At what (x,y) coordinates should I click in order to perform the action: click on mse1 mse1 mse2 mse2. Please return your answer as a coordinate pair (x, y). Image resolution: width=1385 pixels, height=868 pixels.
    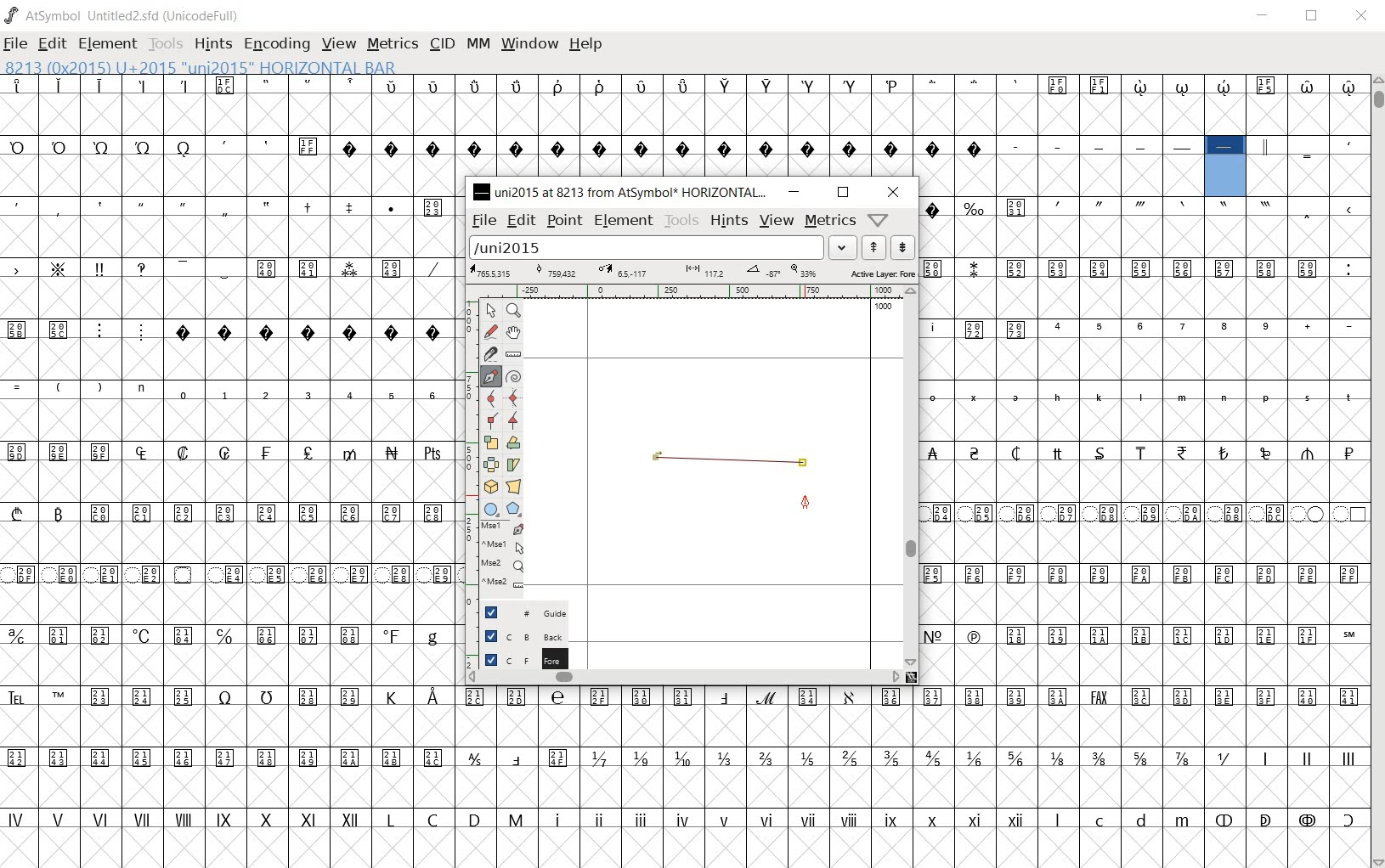
    Looking at the image, I should click on (493, 558).